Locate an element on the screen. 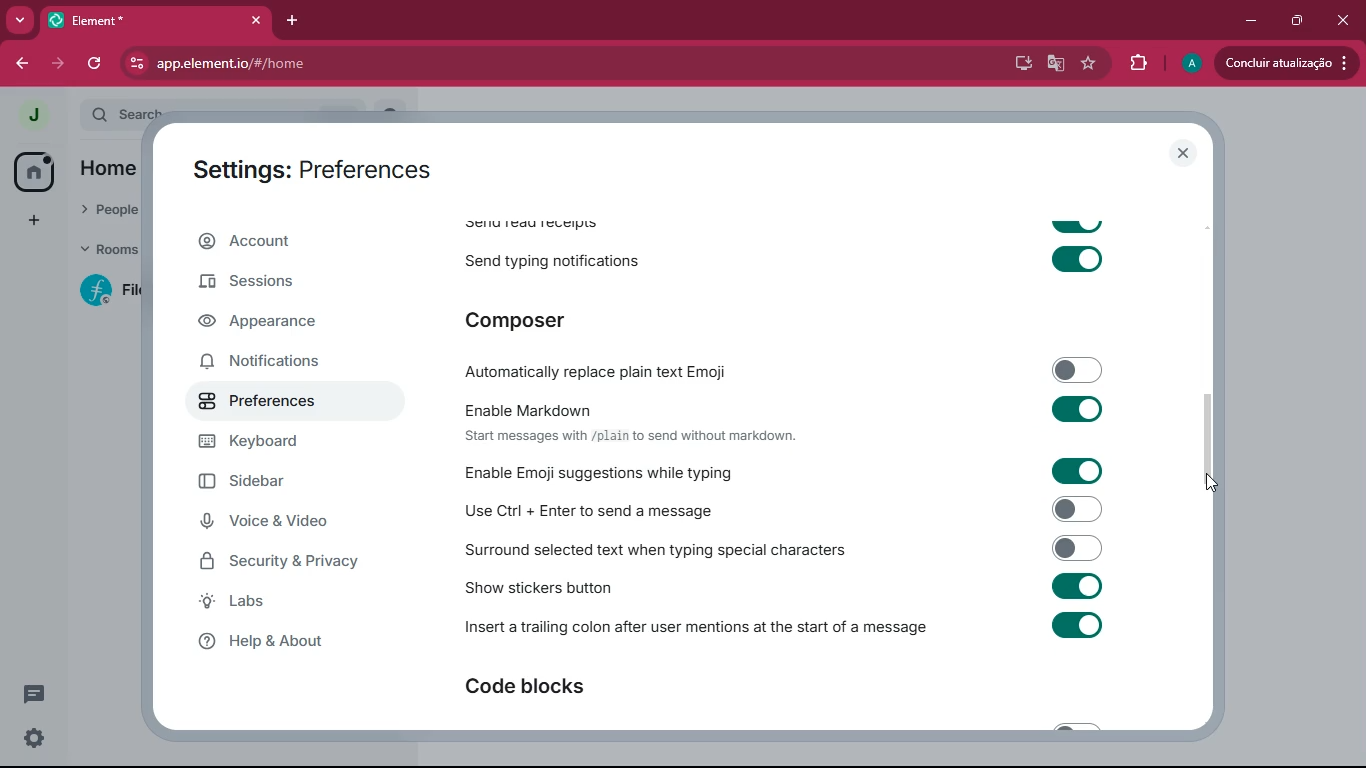 The width and height of the screenshot is (1366, 768). minimize is located at coordinates (1247, 21).